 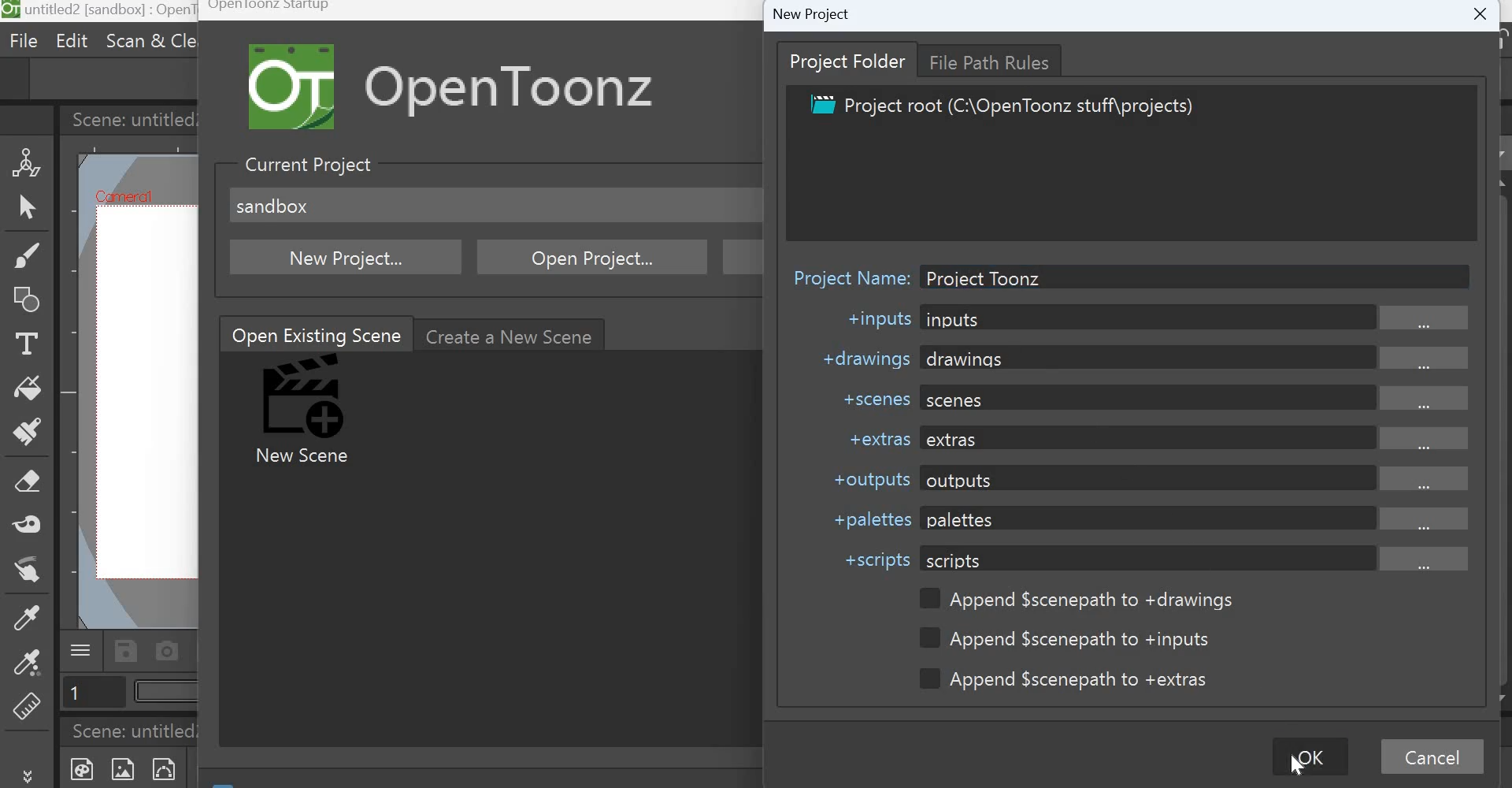 What do you see at coordinates (1196, 478) in the screenshot?
I see `outputs` at bounding box center [1196, 478].